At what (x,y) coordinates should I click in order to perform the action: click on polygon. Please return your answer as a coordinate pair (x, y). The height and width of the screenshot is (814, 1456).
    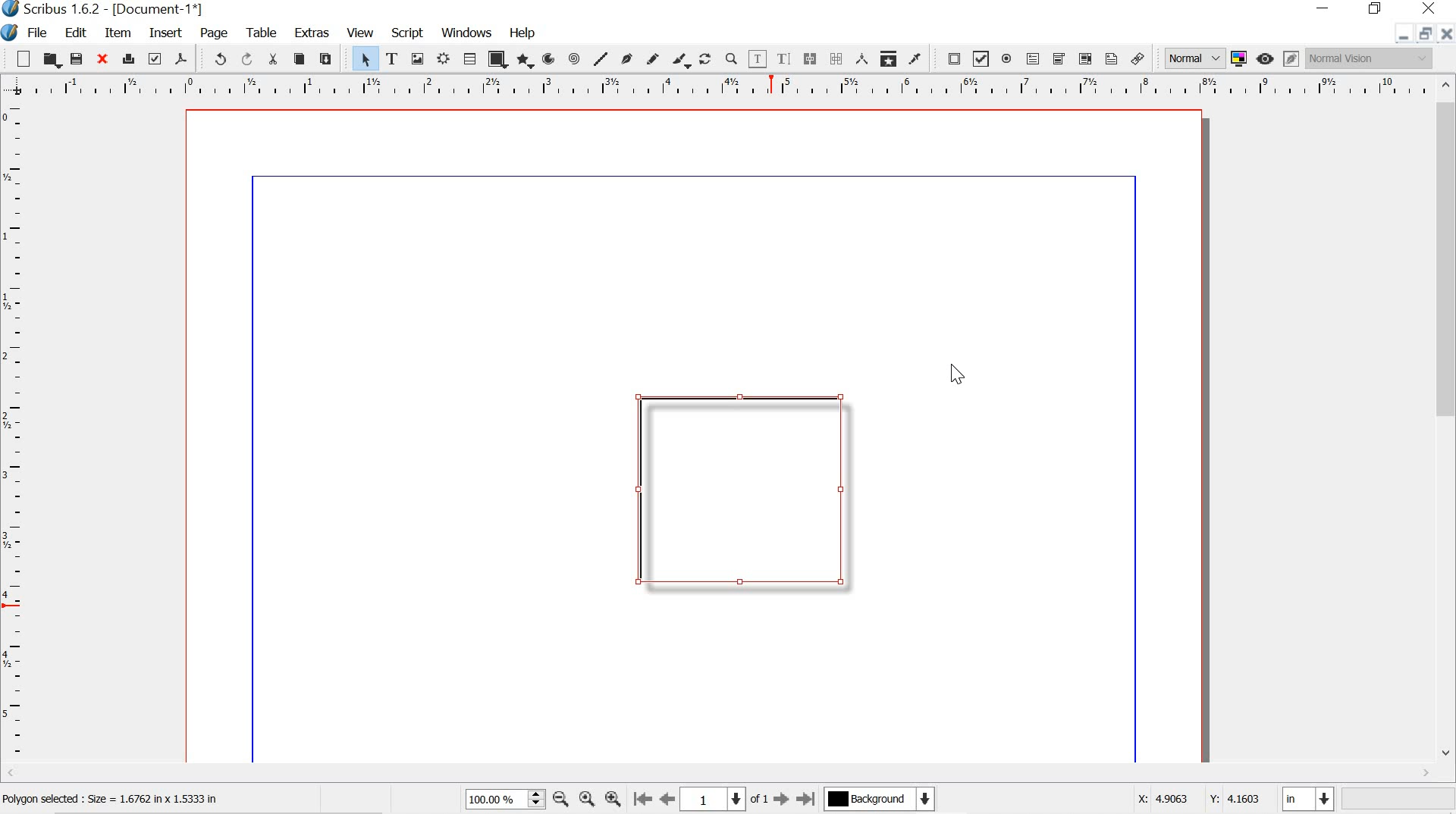
    Looking at the image, I should click on (523, 61).